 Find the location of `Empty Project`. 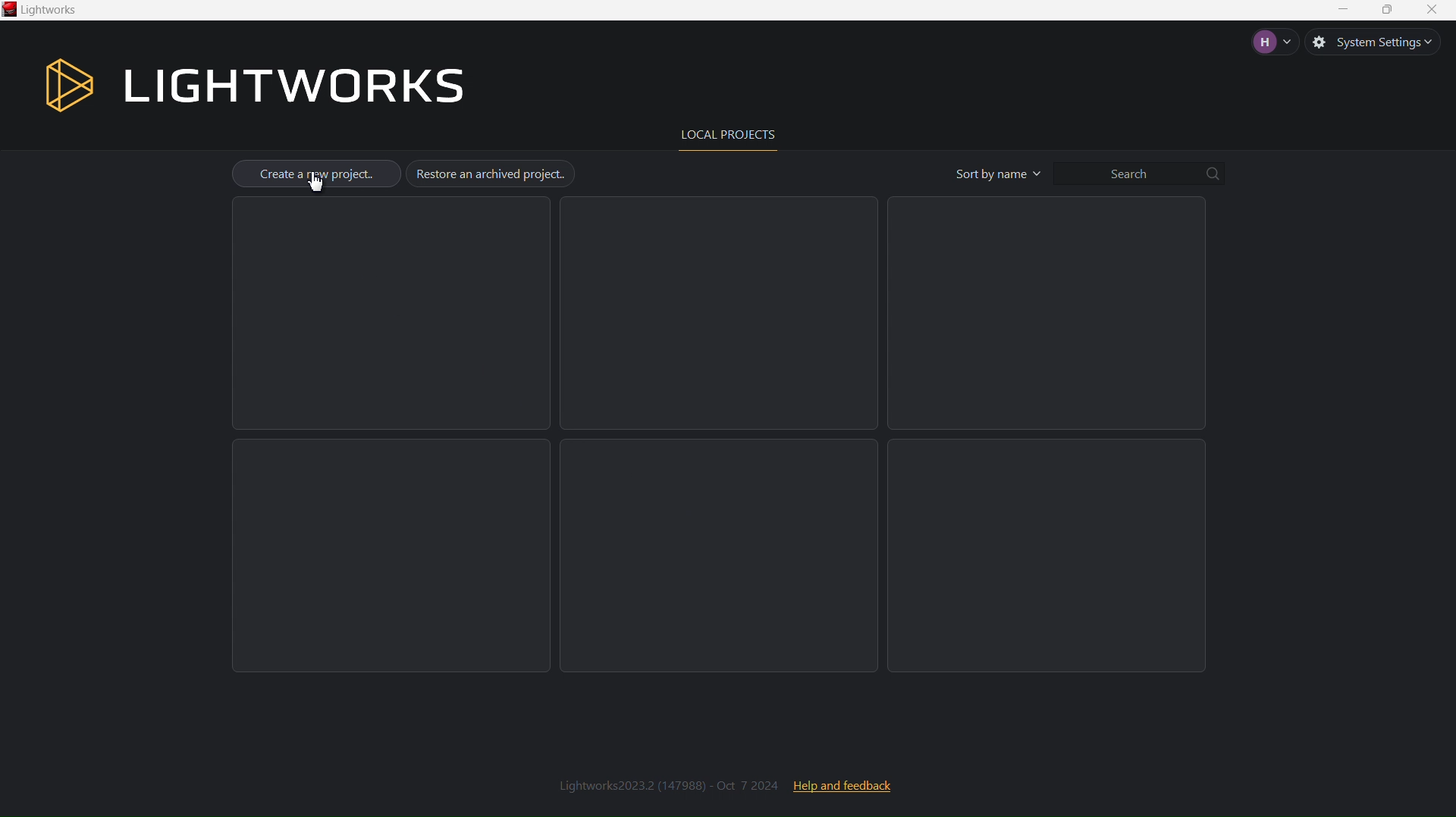

Empty Project is located at coordinates (1052, 557).